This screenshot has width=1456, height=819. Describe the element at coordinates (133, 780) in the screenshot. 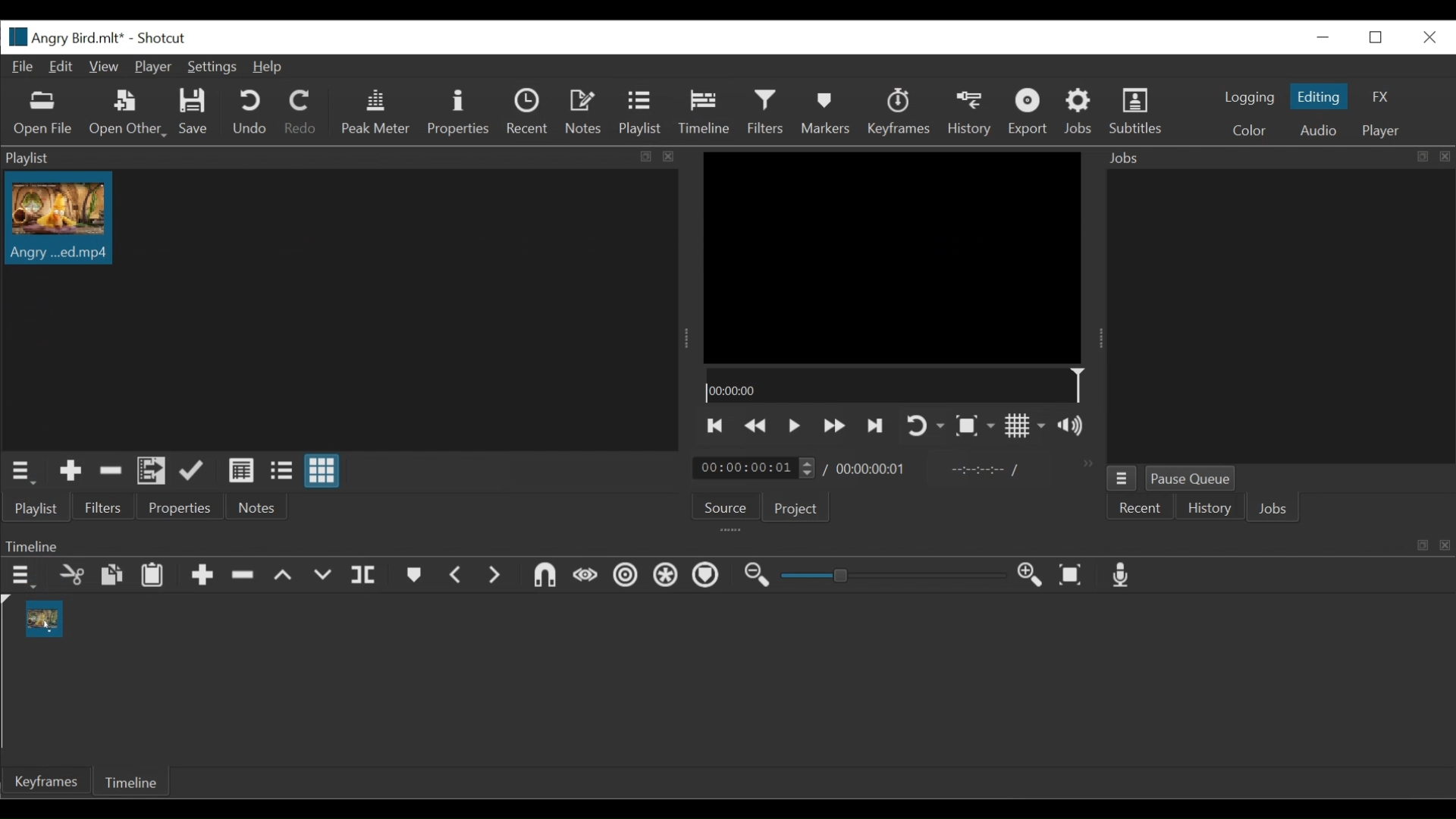

I see `Timeline` at that location.